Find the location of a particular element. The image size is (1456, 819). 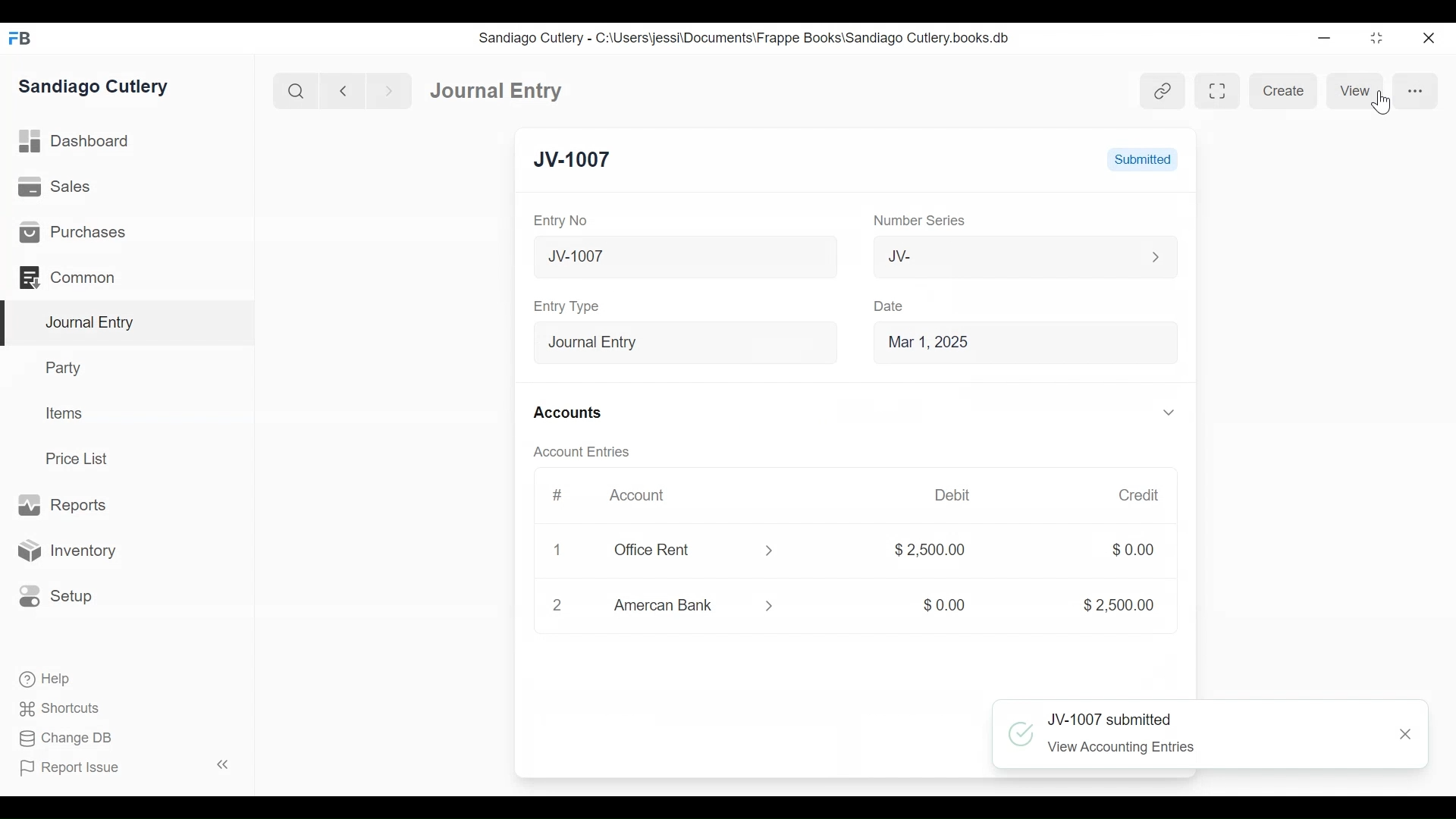

Report Issue is located at coordinates (76, 769).